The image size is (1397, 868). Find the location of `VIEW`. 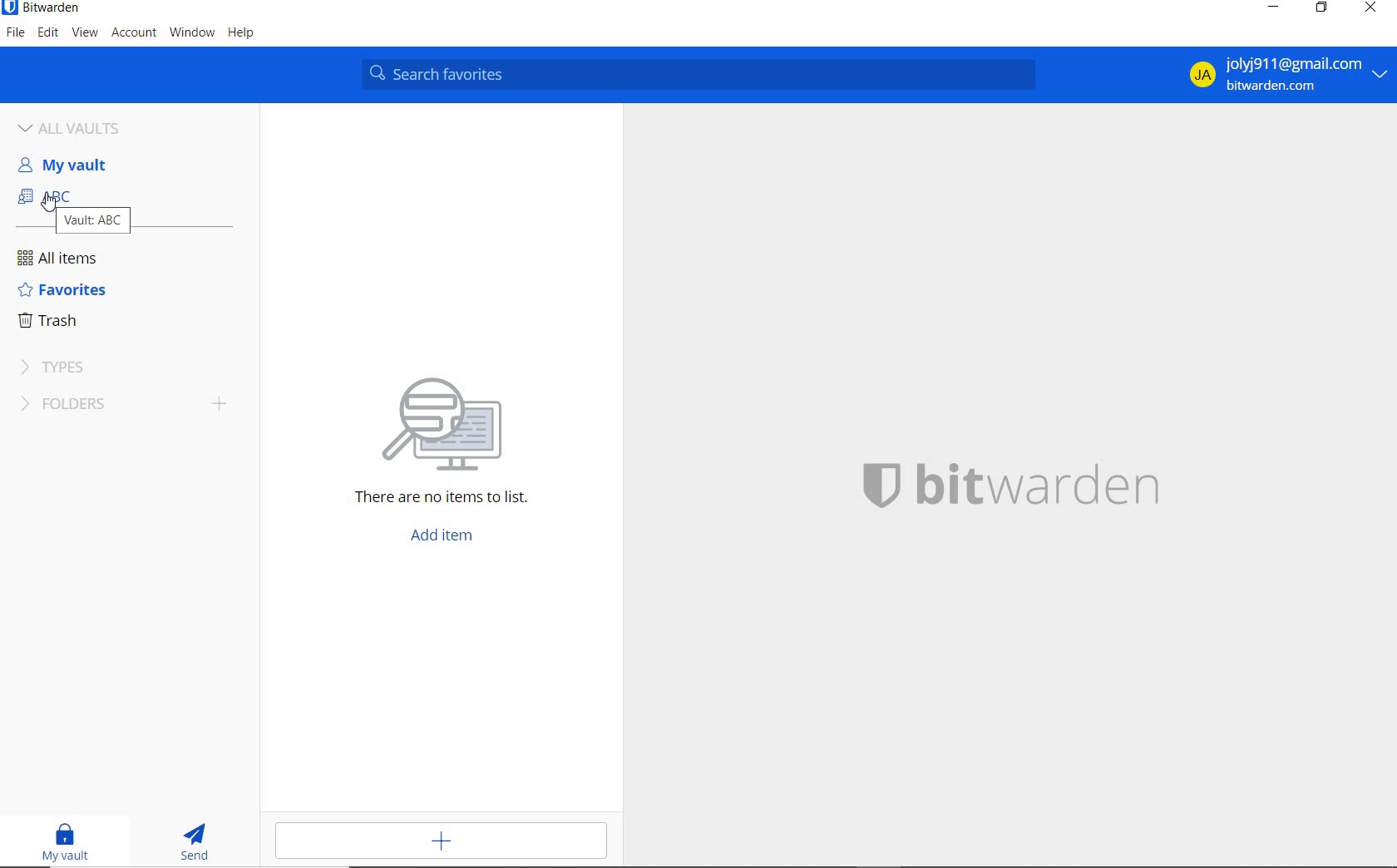

VIEW is located at coordinates (86, 33).